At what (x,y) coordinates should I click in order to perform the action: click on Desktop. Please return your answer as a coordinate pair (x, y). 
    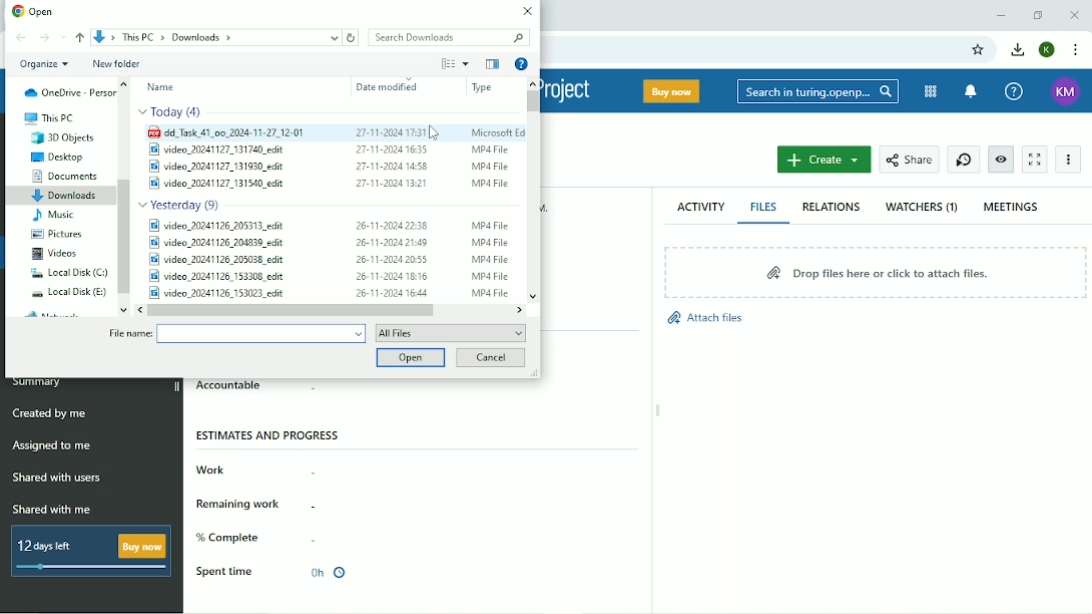
    Looking at the image, I should click on (60, 157).